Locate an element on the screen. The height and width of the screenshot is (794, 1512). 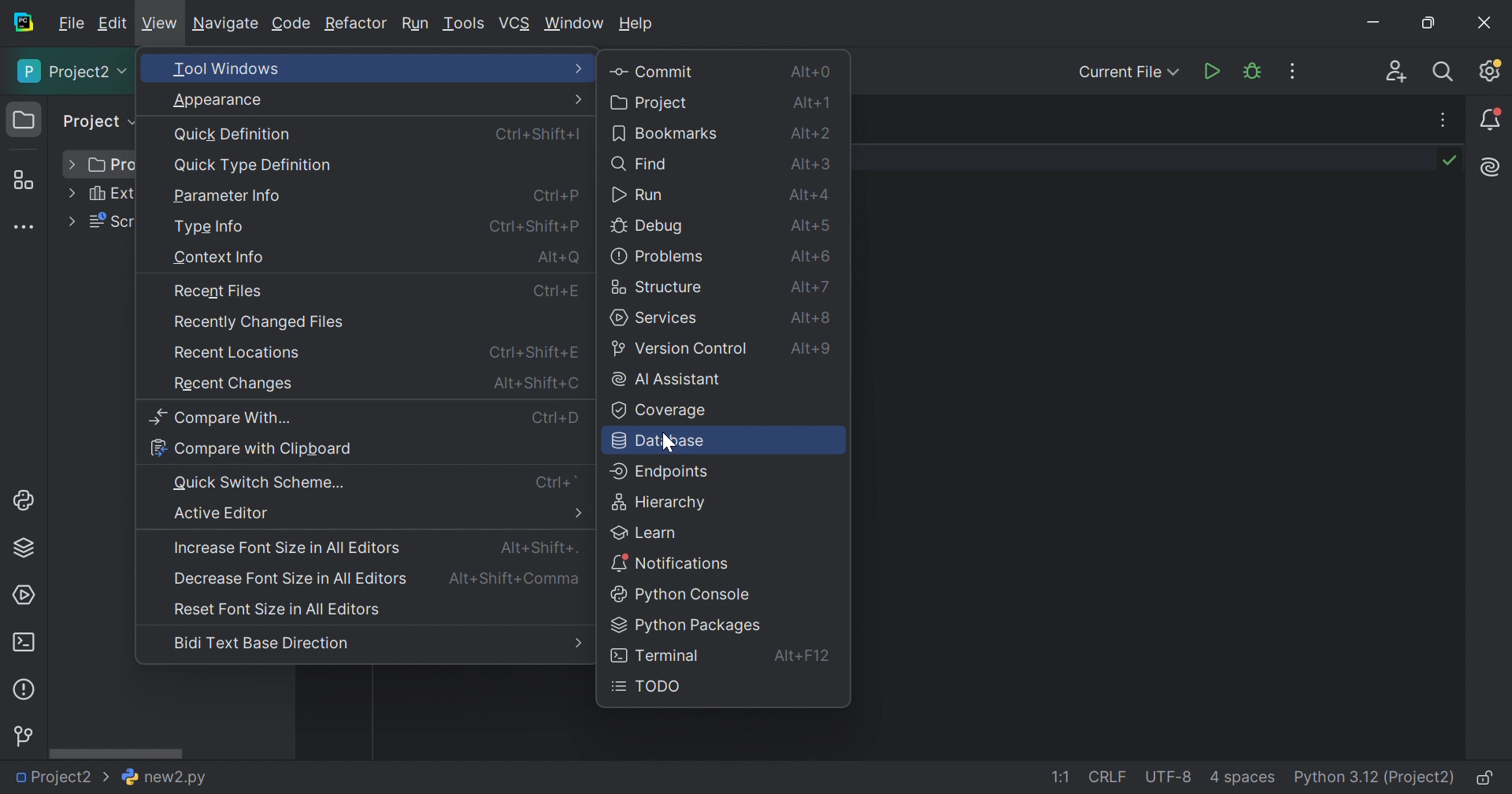
Terminal is located at coordinates (24, 642).